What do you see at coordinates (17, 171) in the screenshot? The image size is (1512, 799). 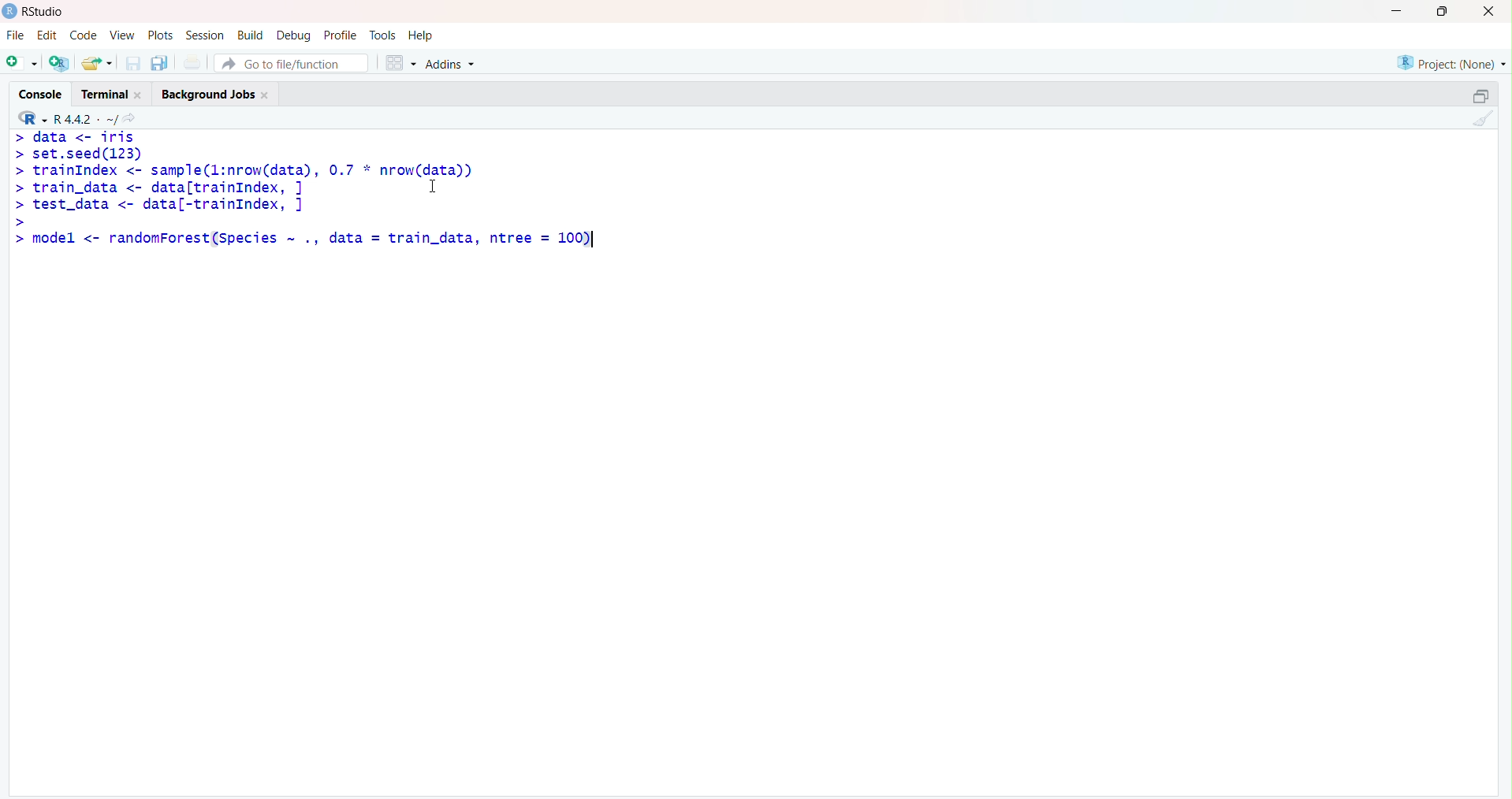 I see `Prompt cursor` at bounding box center [17, 171].